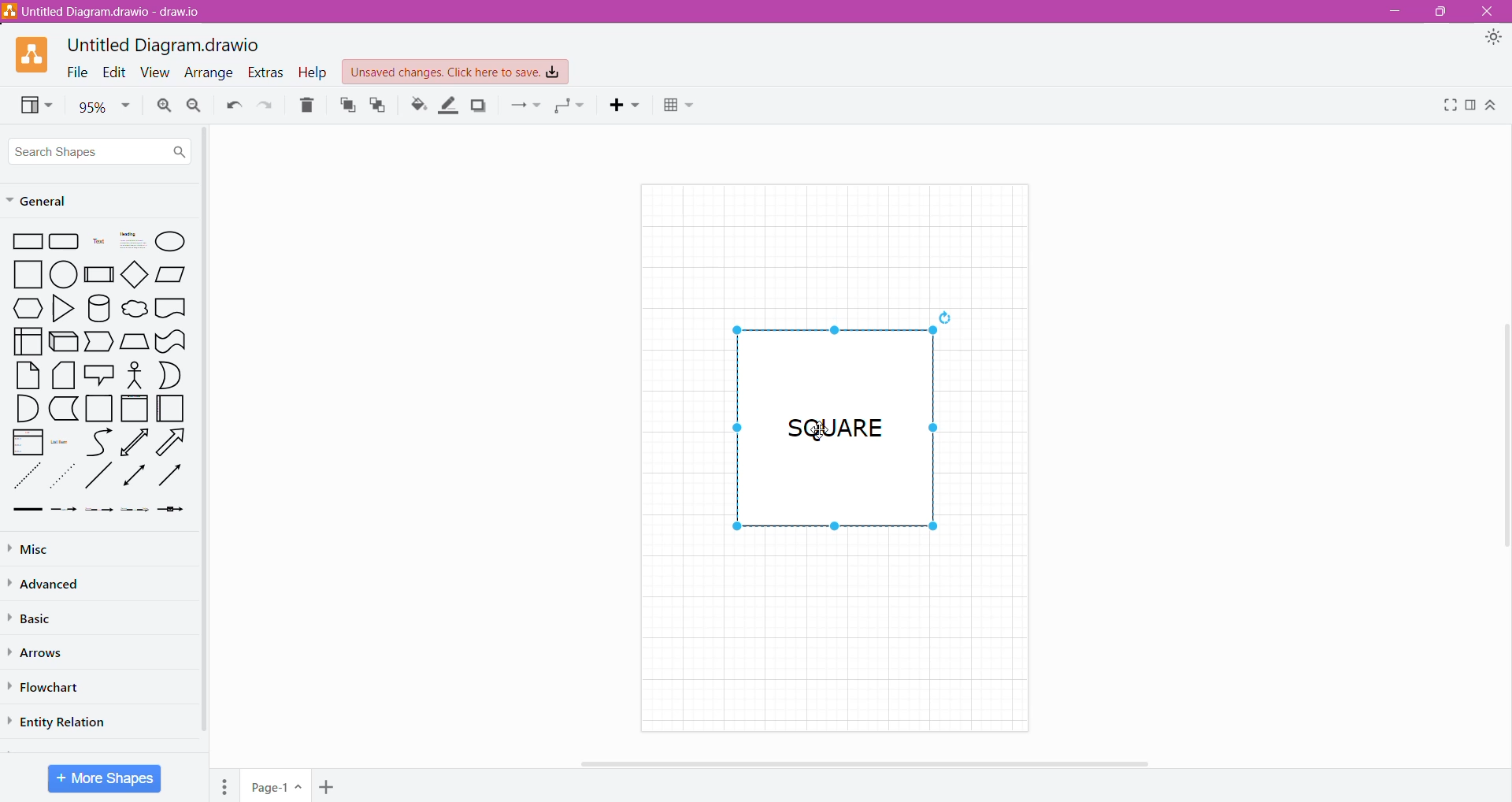 The width and height of the screenshot is (1512, 802). What do you see at coordinates (172, 340) in the screenshot?
I see `wavy retangle` at bounding box center [172, 340].